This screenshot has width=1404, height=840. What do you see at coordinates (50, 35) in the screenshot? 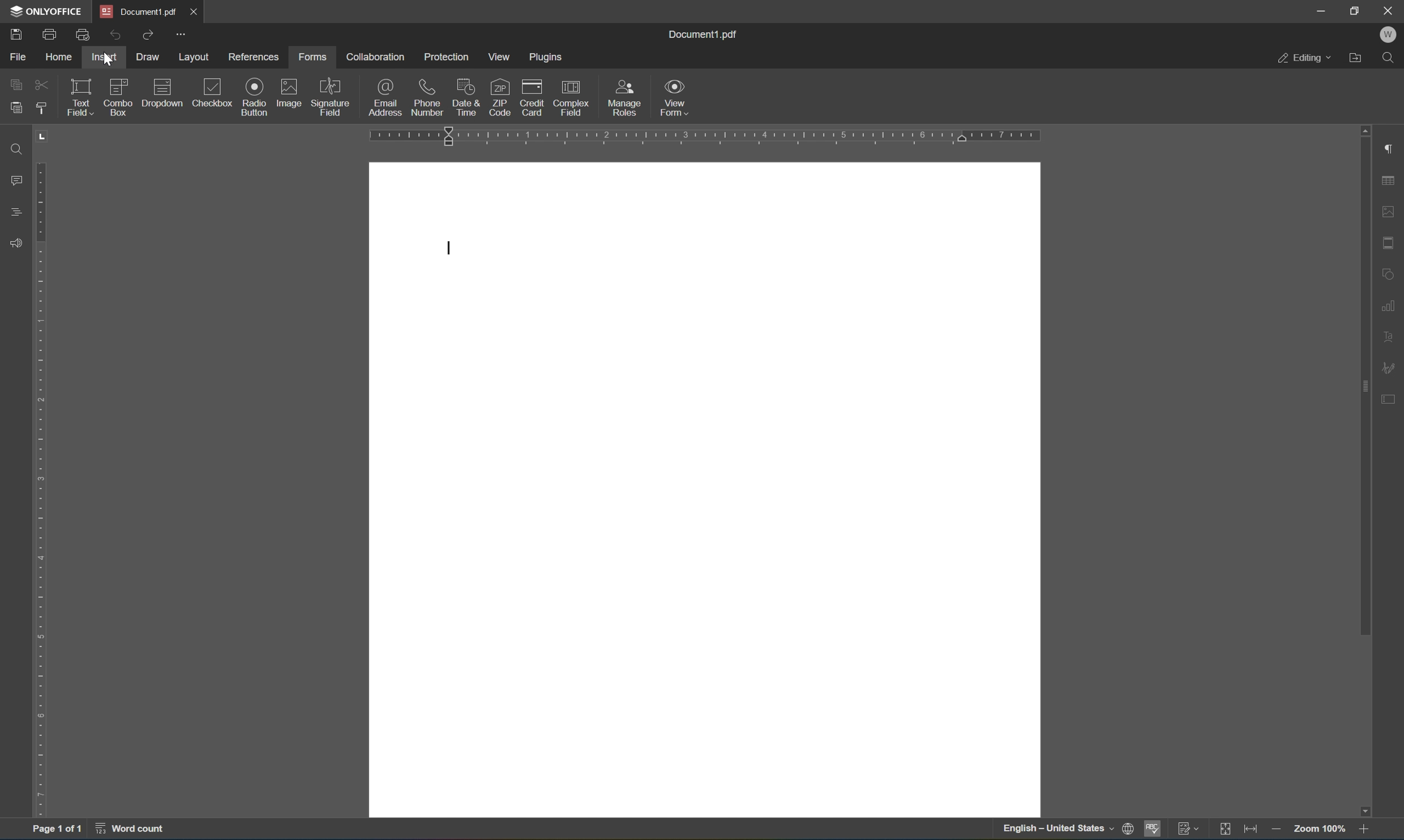
I see `Print` at bounding box center [50, 35].